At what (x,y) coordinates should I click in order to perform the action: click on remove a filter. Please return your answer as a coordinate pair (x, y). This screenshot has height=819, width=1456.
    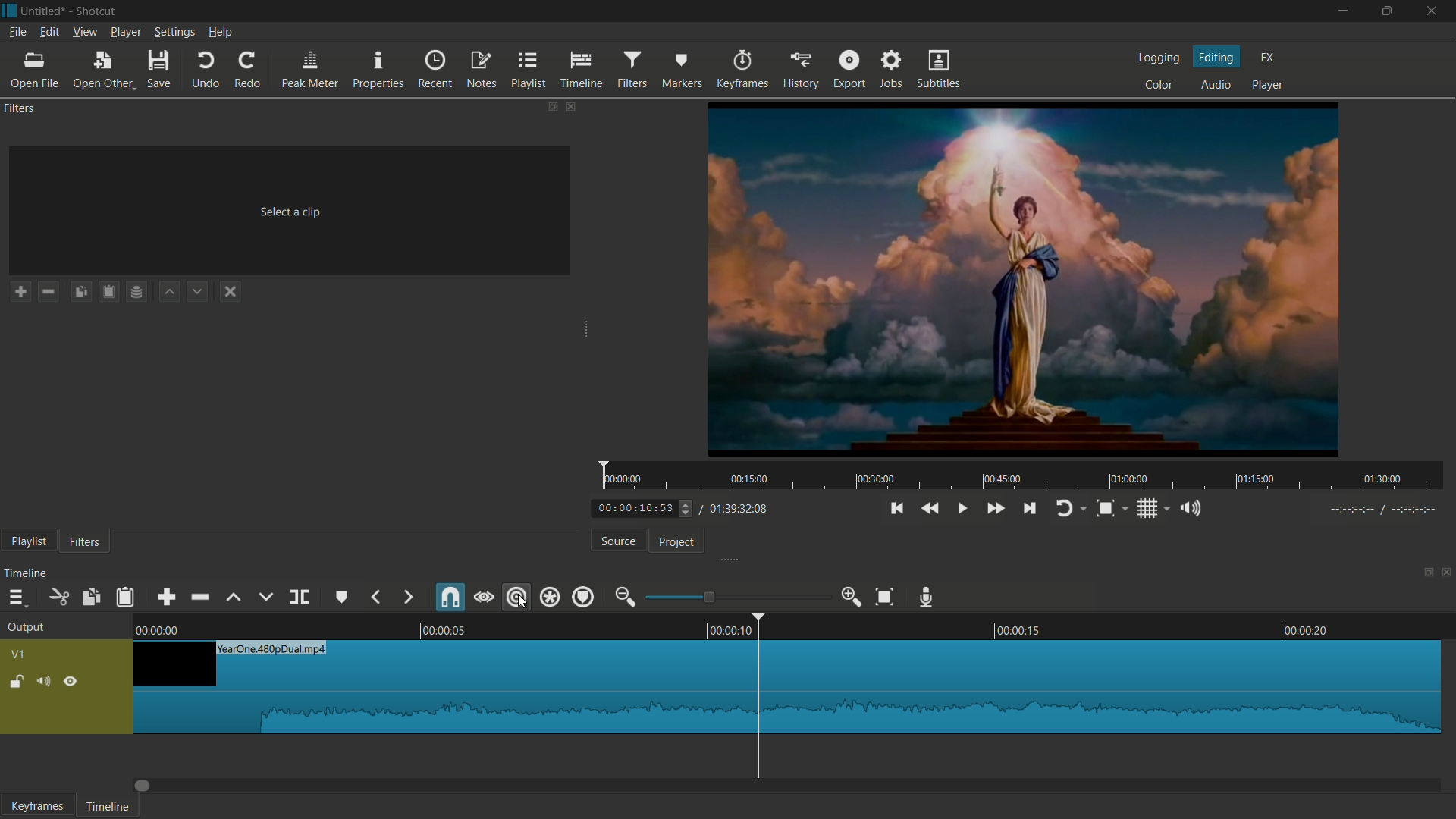
    Looking at the image, I should click on (49, 292).